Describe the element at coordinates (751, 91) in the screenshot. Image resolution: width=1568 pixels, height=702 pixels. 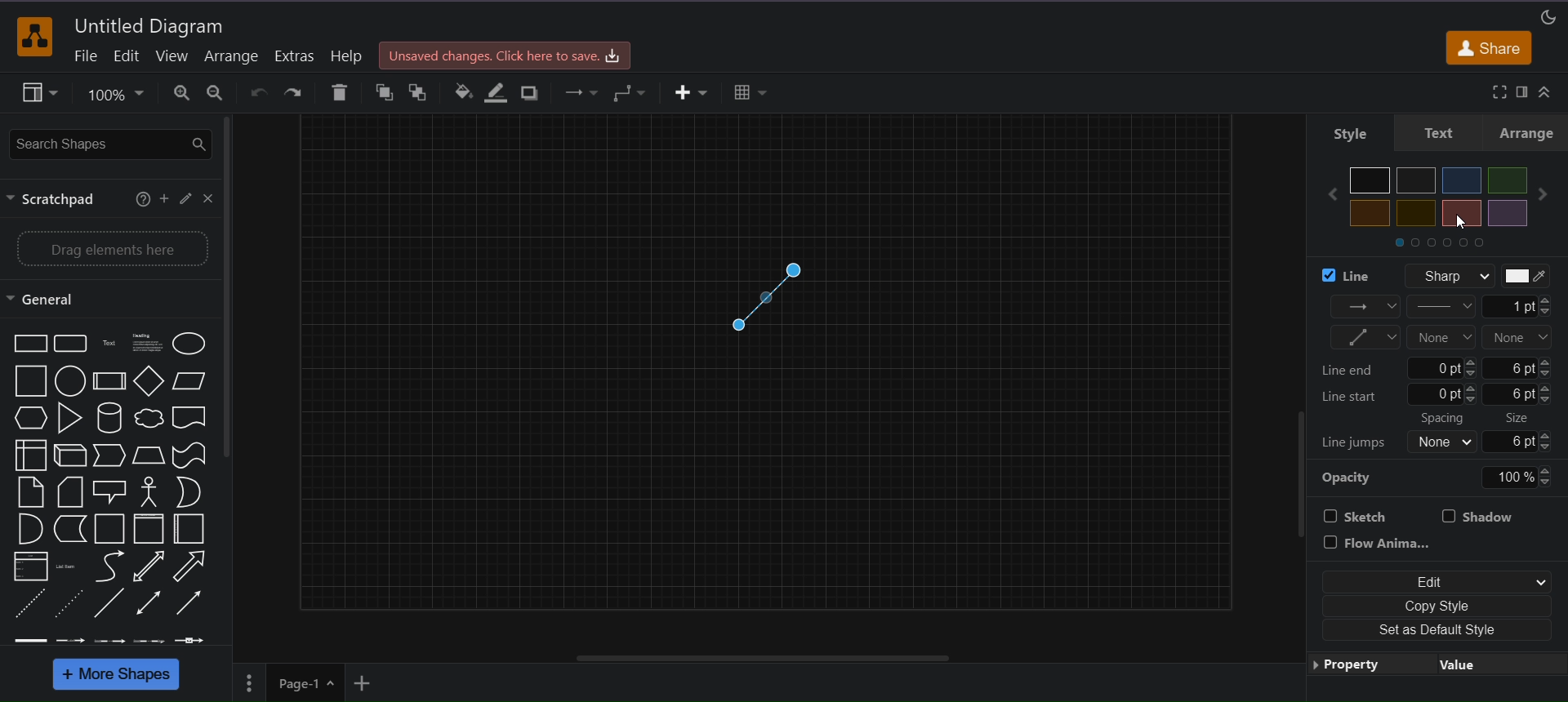
I see `table` at that location.